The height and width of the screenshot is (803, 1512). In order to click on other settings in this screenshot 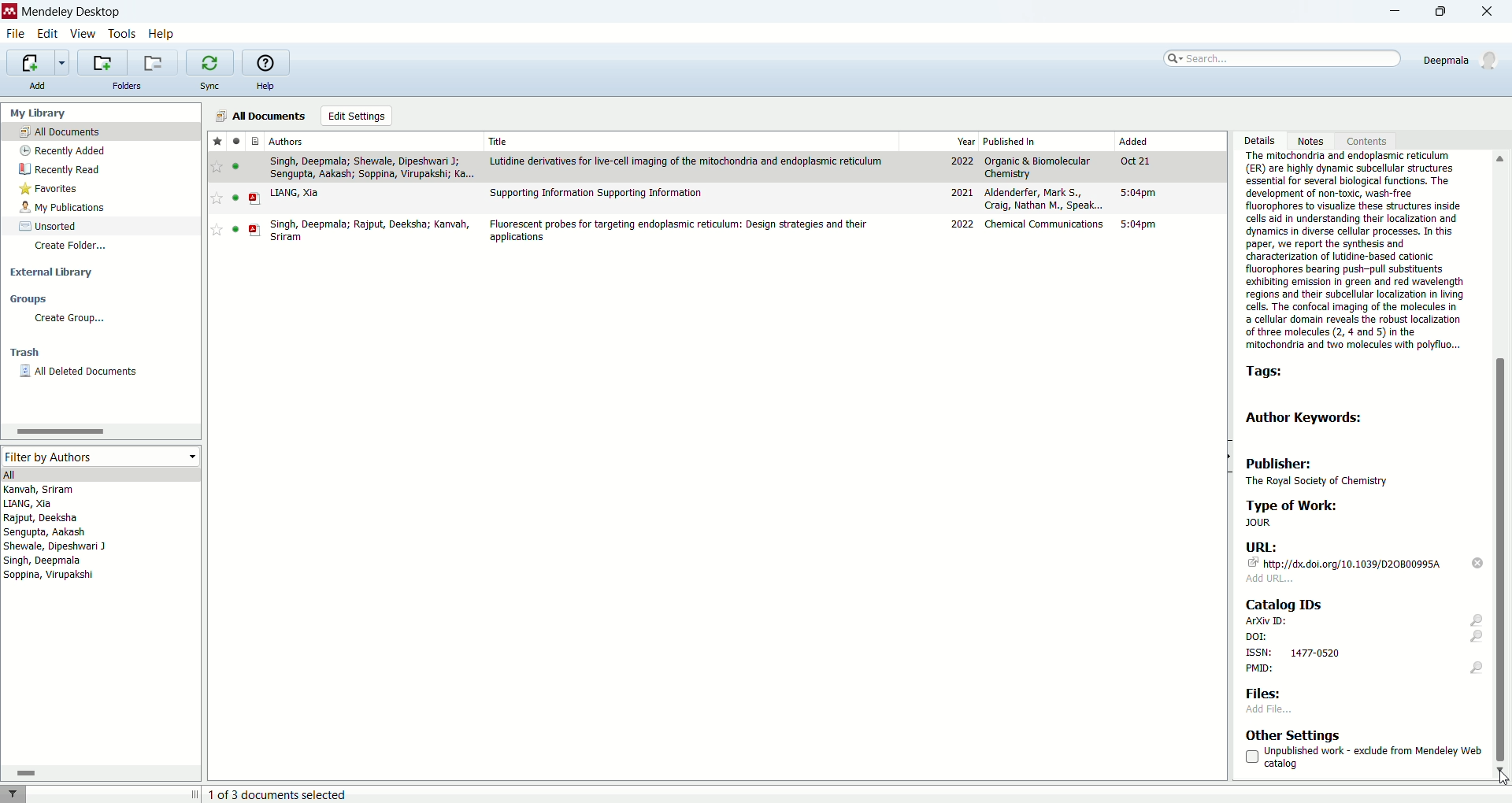, I will do `click(1294, 735)`.